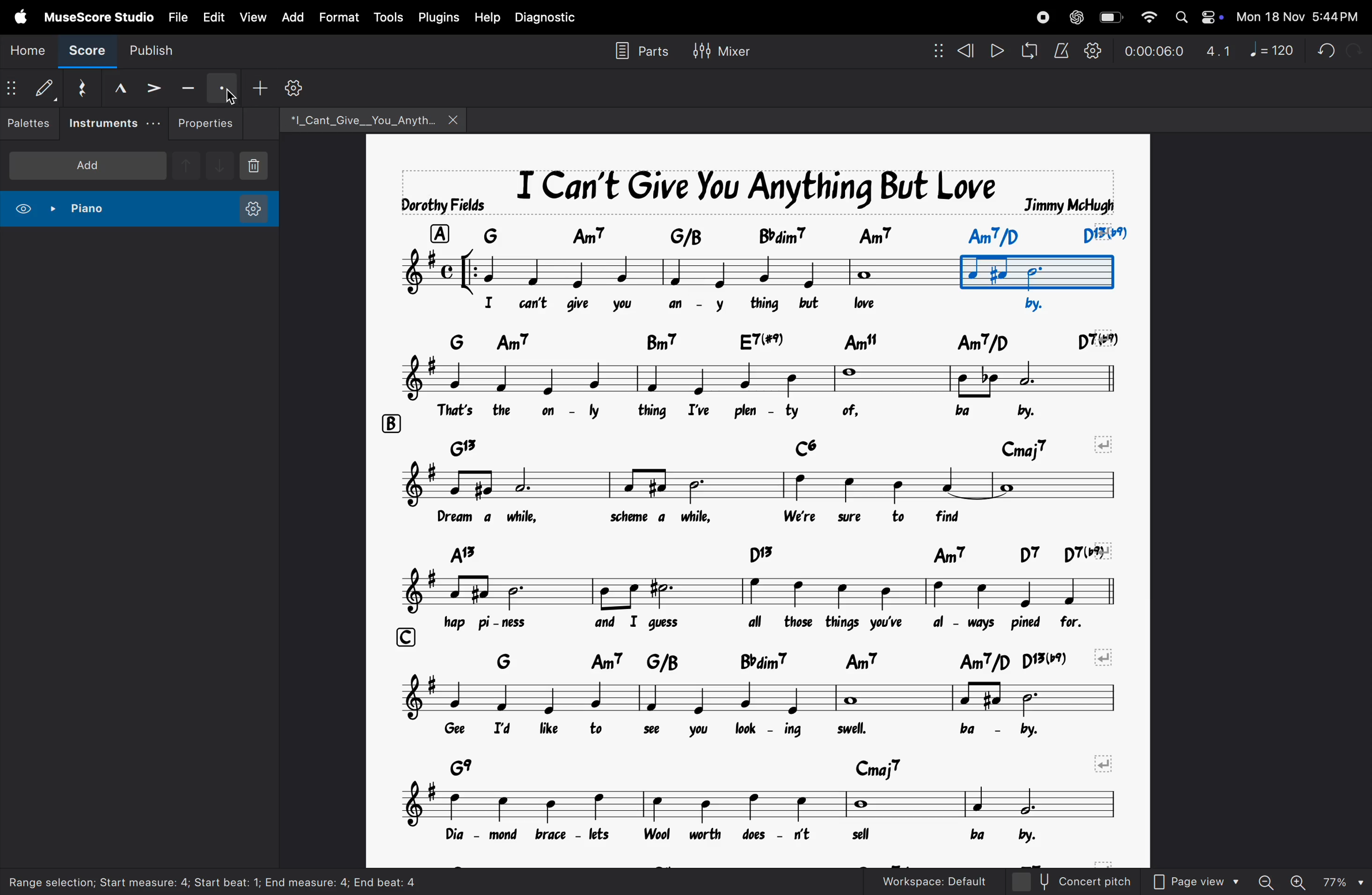  Describe the element at coordinates (218, 166) in the screenshot. I see `downnote` at that location.